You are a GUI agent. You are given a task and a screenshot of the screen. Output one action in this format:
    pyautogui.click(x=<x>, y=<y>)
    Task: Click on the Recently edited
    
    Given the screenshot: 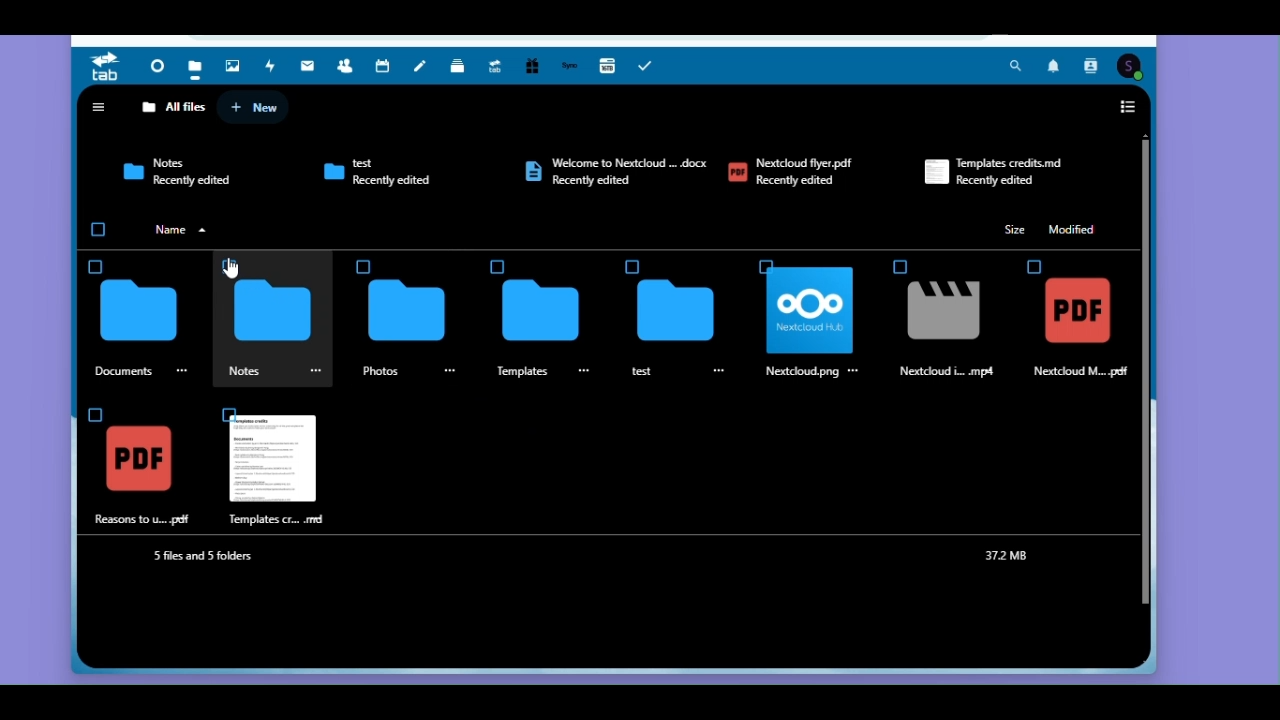 What is the action you would take?
    pyautogui.click(x=192, y=181)
    